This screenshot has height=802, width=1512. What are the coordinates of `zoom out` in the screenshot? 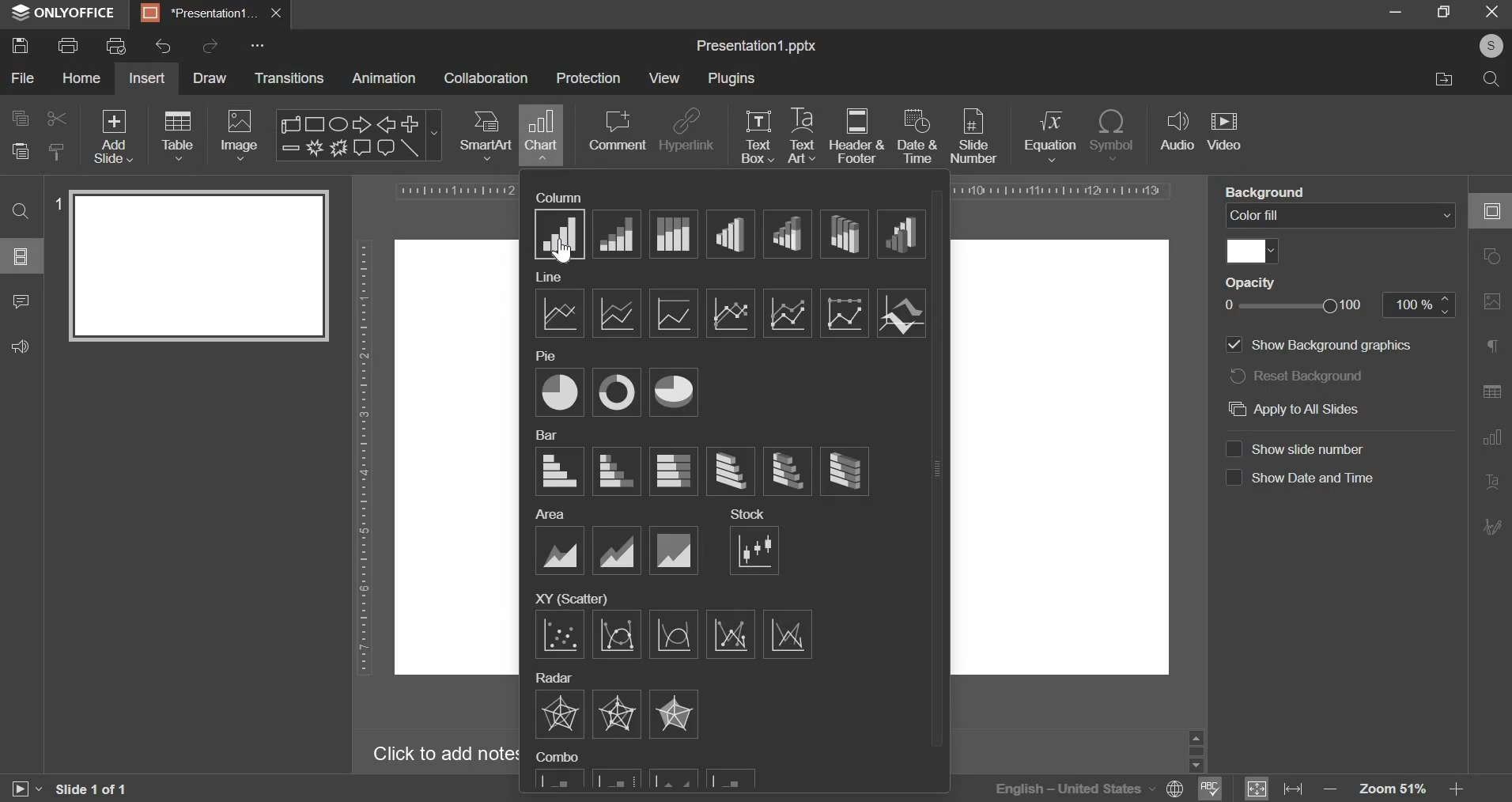 It's located at (1327, 787).